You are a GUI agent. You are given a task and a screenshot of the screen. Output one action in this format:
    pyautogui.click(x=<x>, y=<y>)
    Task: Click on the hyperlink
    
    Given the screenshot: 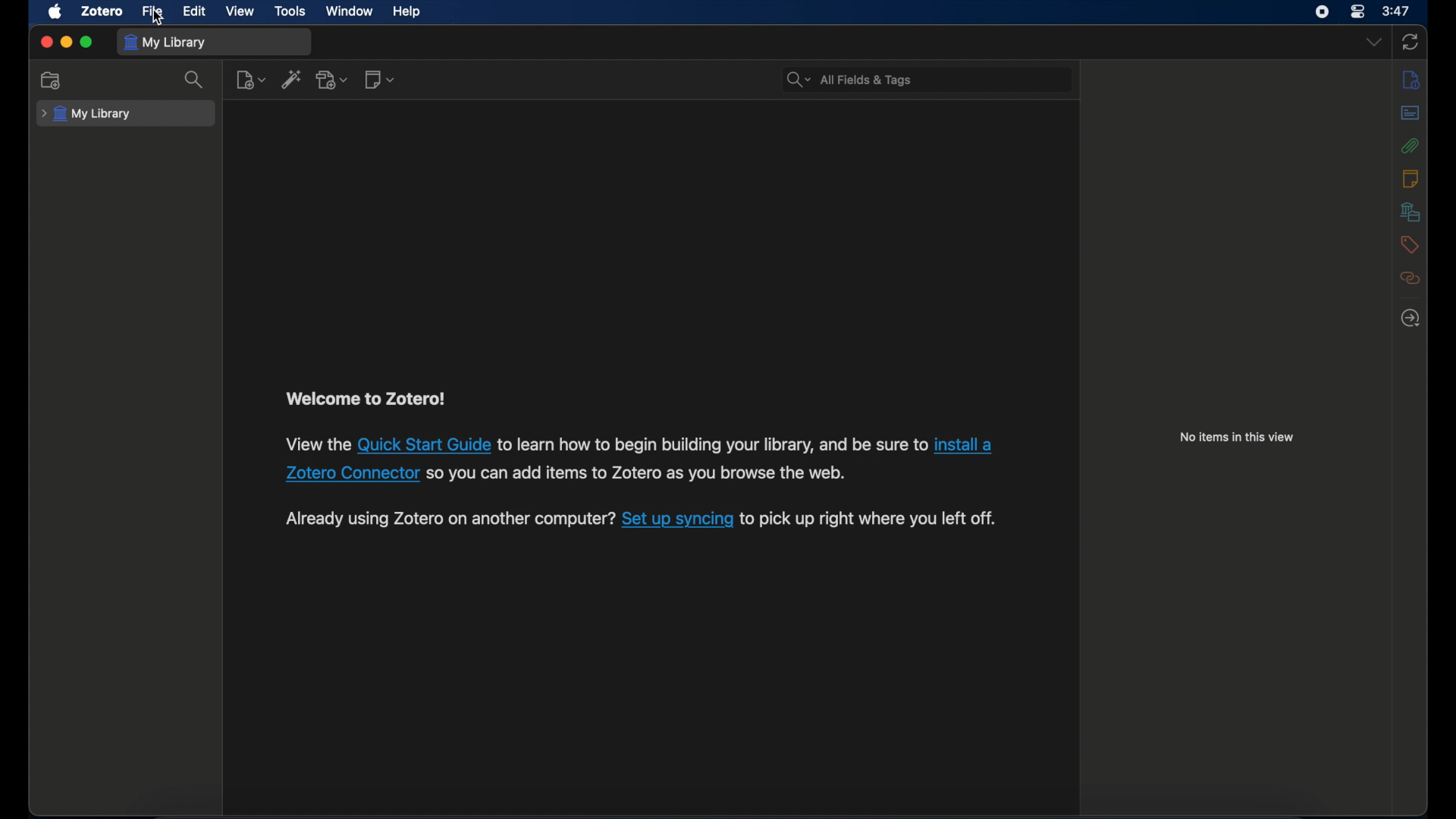 What is the action you would take?
    pyautogui.click(x=676, y=519)
    